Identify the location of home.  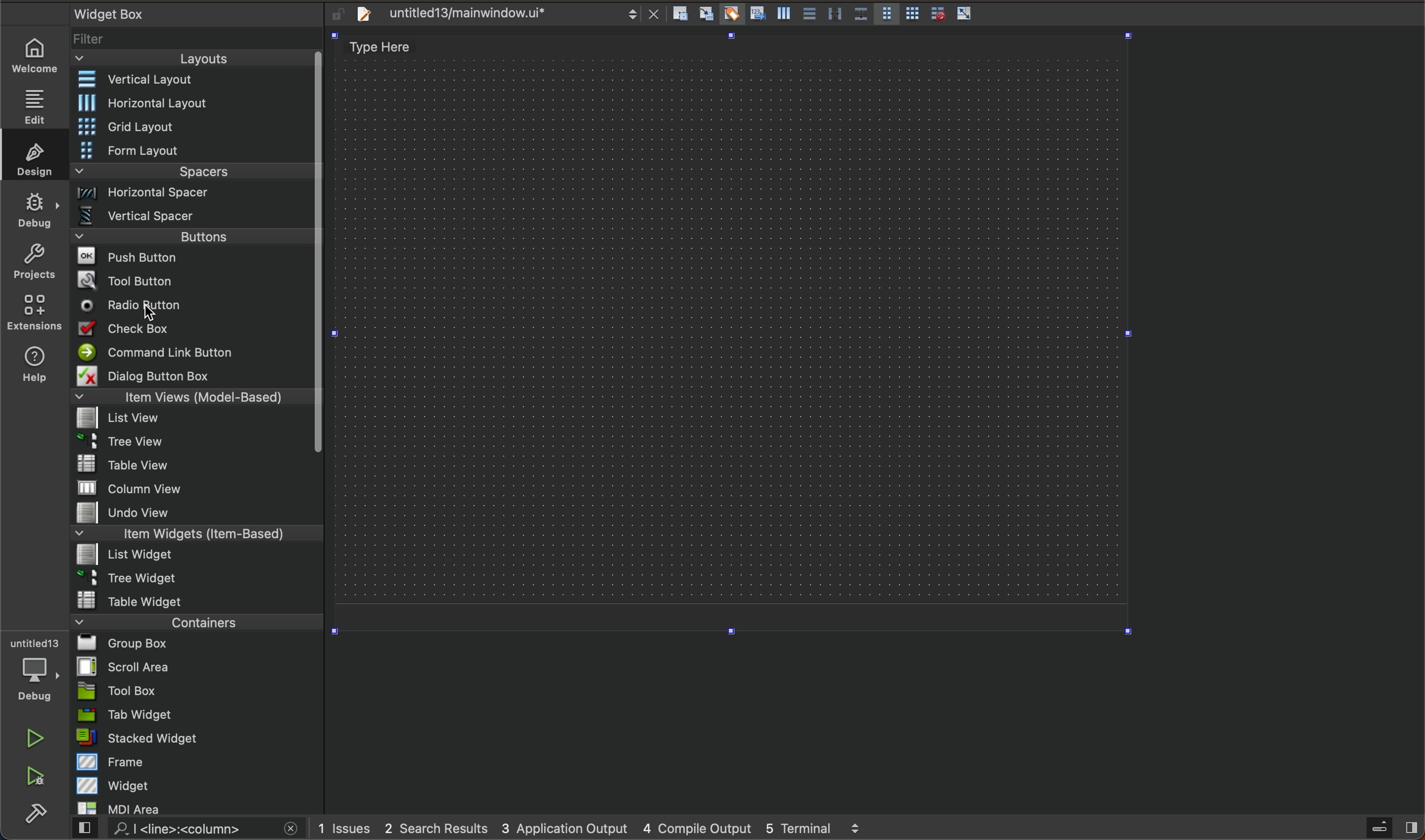
(40, 55).